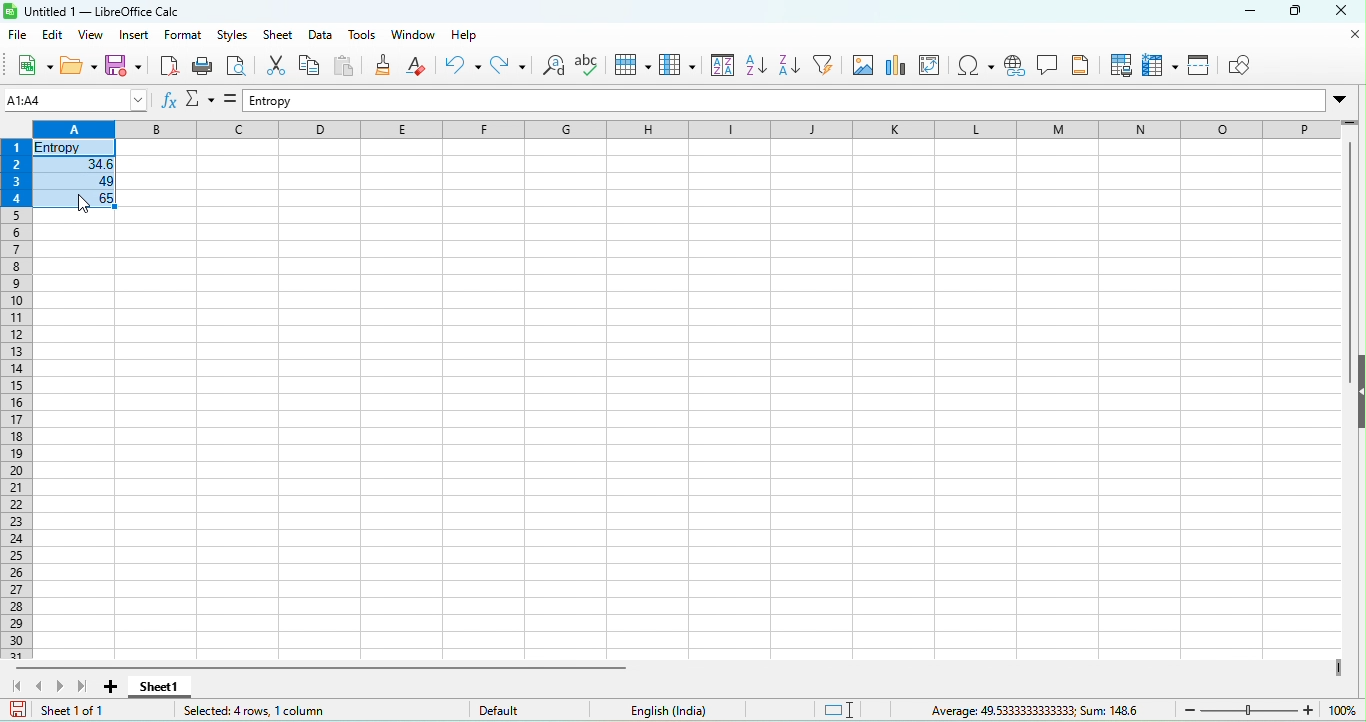 This screenshot has width=1366, height=722. What do you see at coordinates (168, 101) in the screenshot?
I see `function wizard` at bounding box center [168, 101].